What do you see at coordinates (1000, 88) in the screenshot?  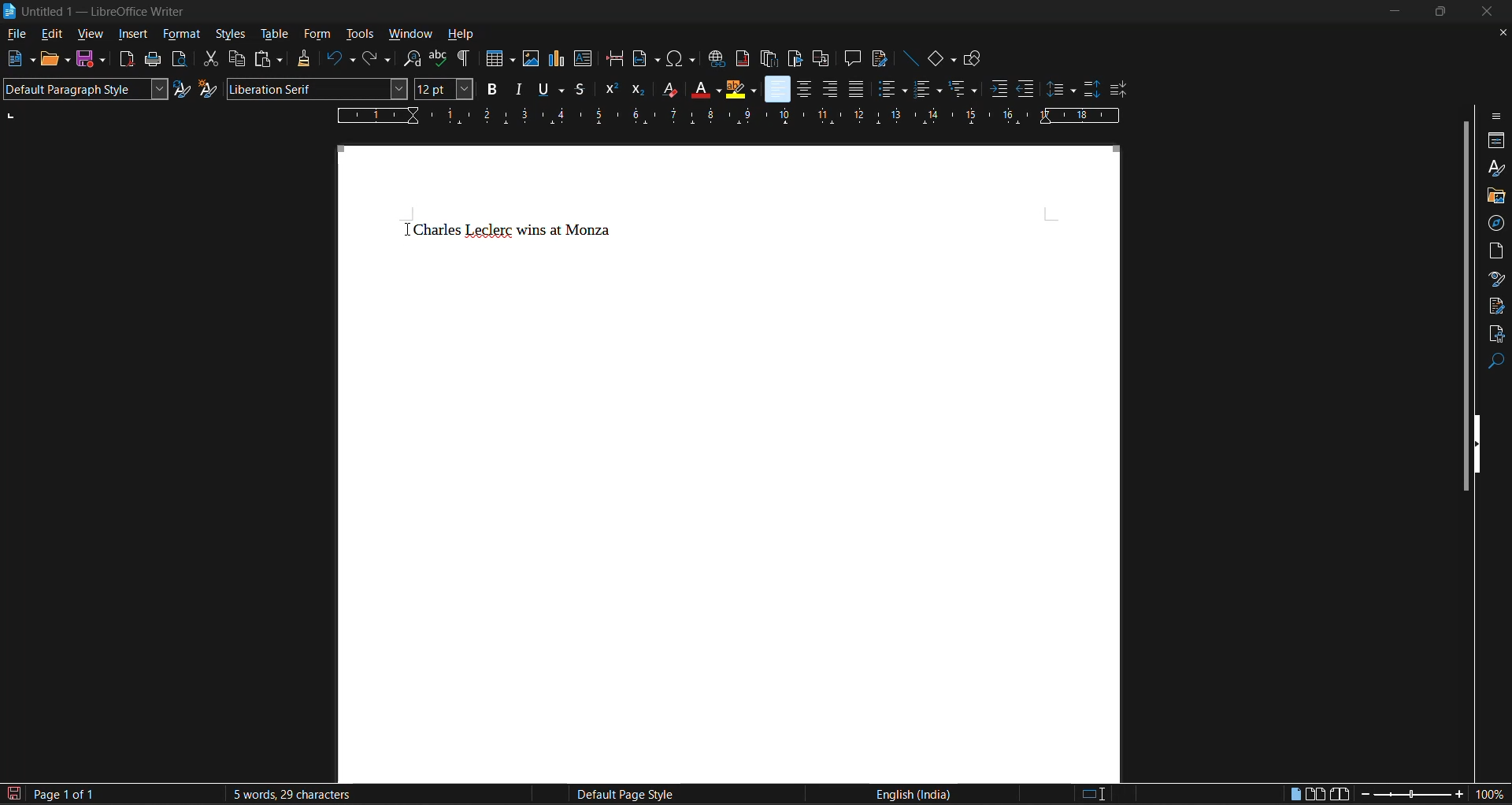 I see `increase indent` at bounding box center [1000, 88].